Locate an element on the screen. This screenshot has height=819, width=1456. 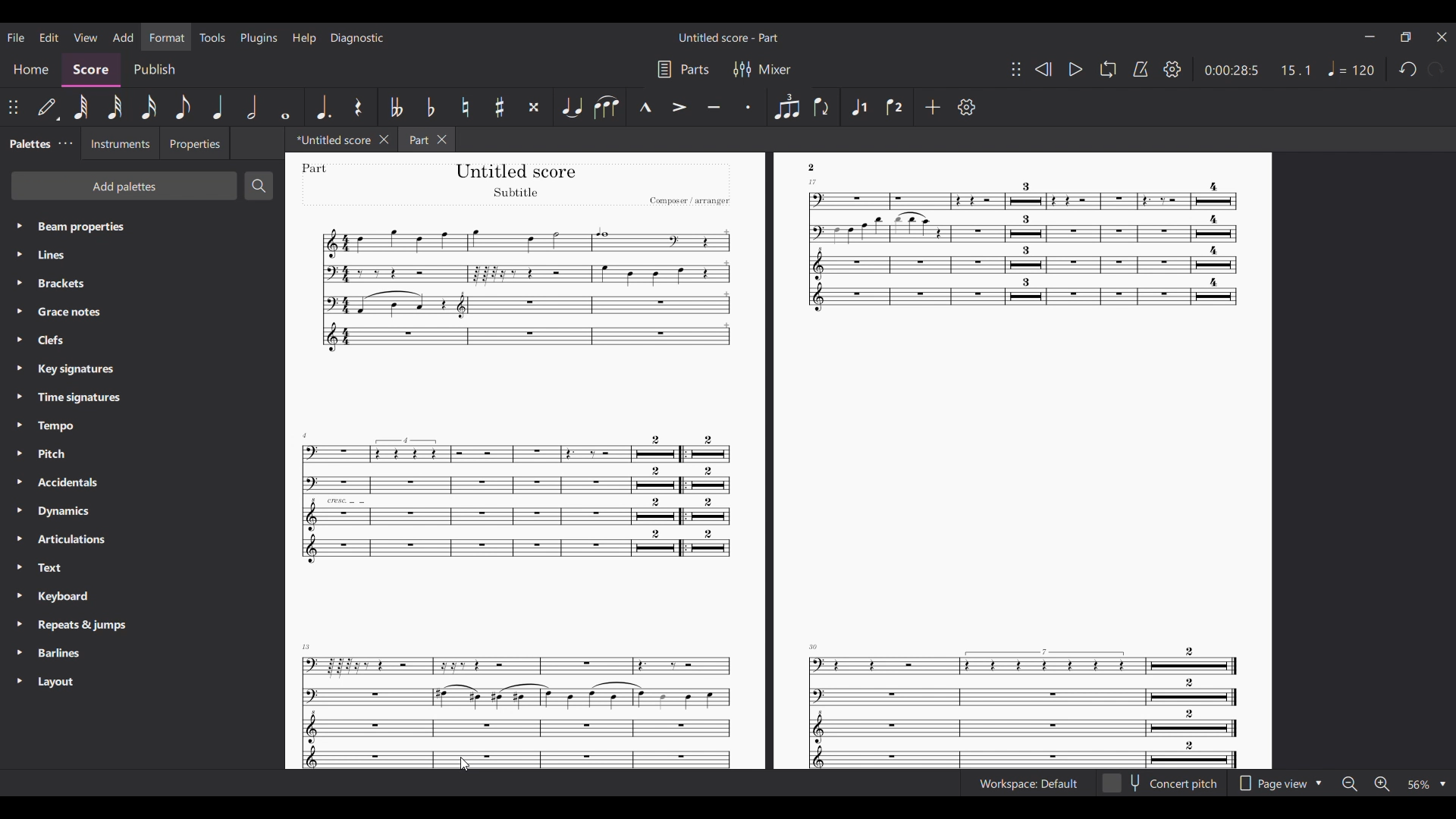
Rest is located at coordinates (358, 108).